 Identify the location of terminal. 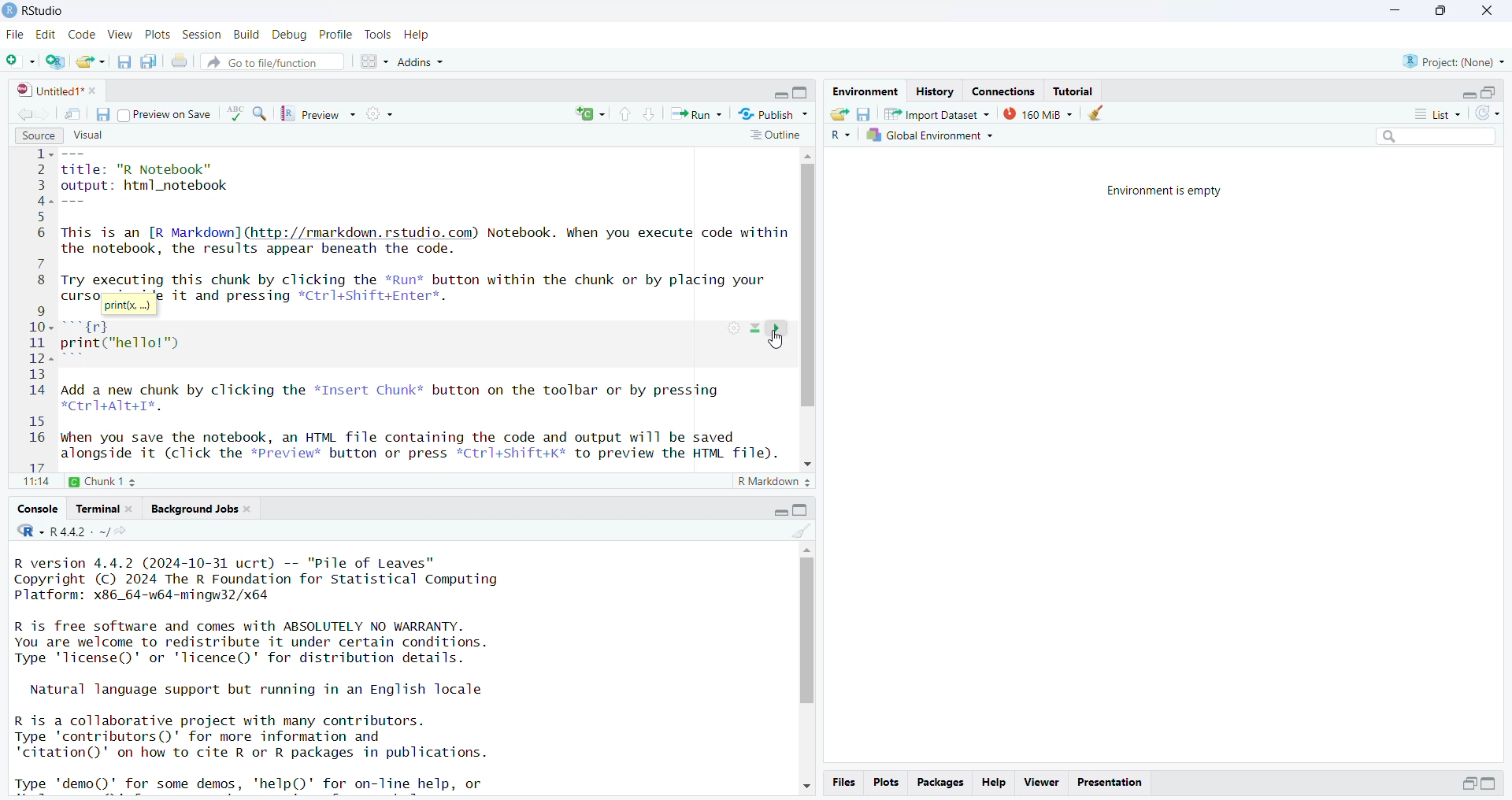
(106, 508).